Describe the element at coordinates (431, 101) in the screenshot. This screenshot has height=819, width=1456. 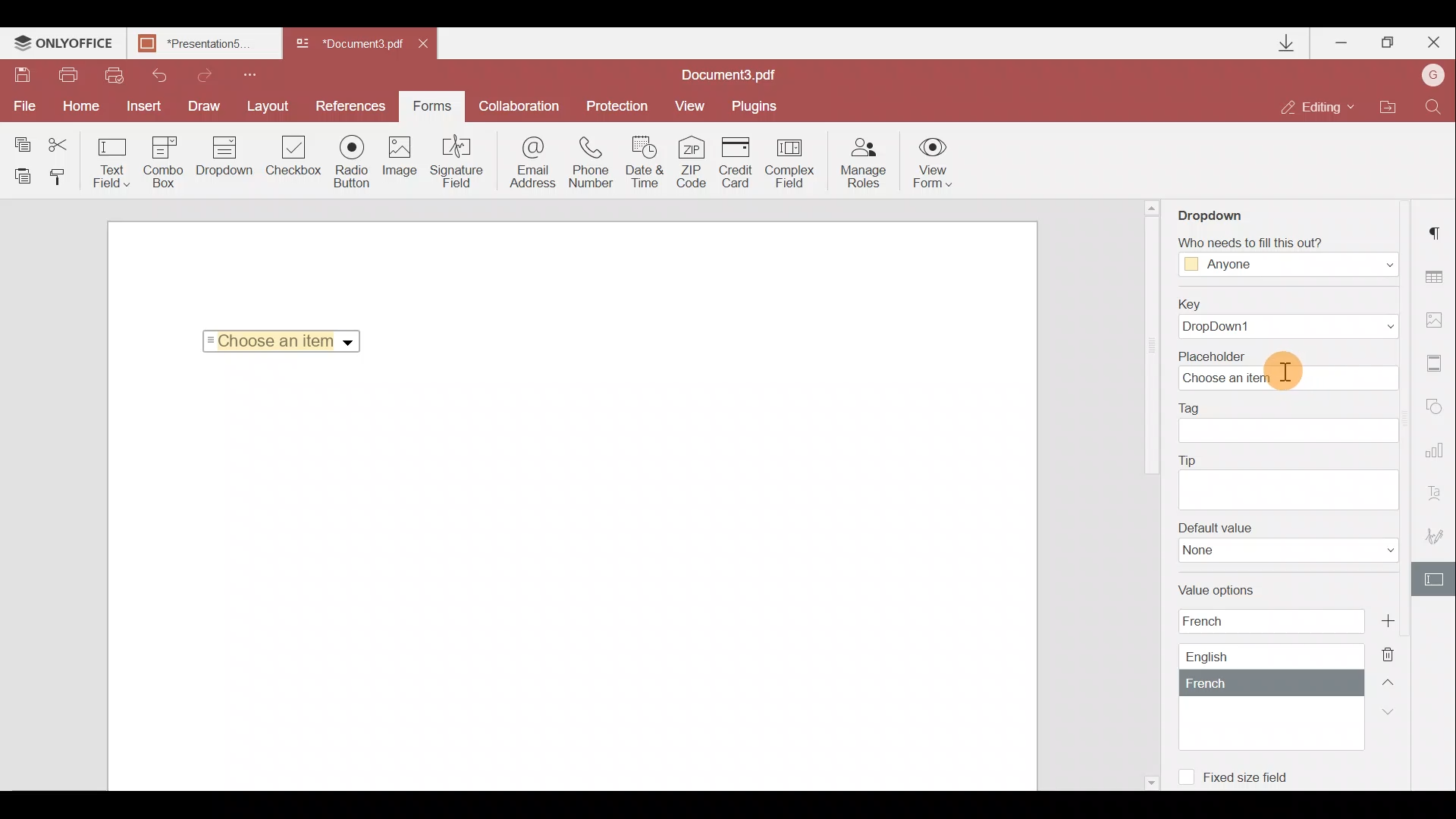
I see `Forms` at that location.